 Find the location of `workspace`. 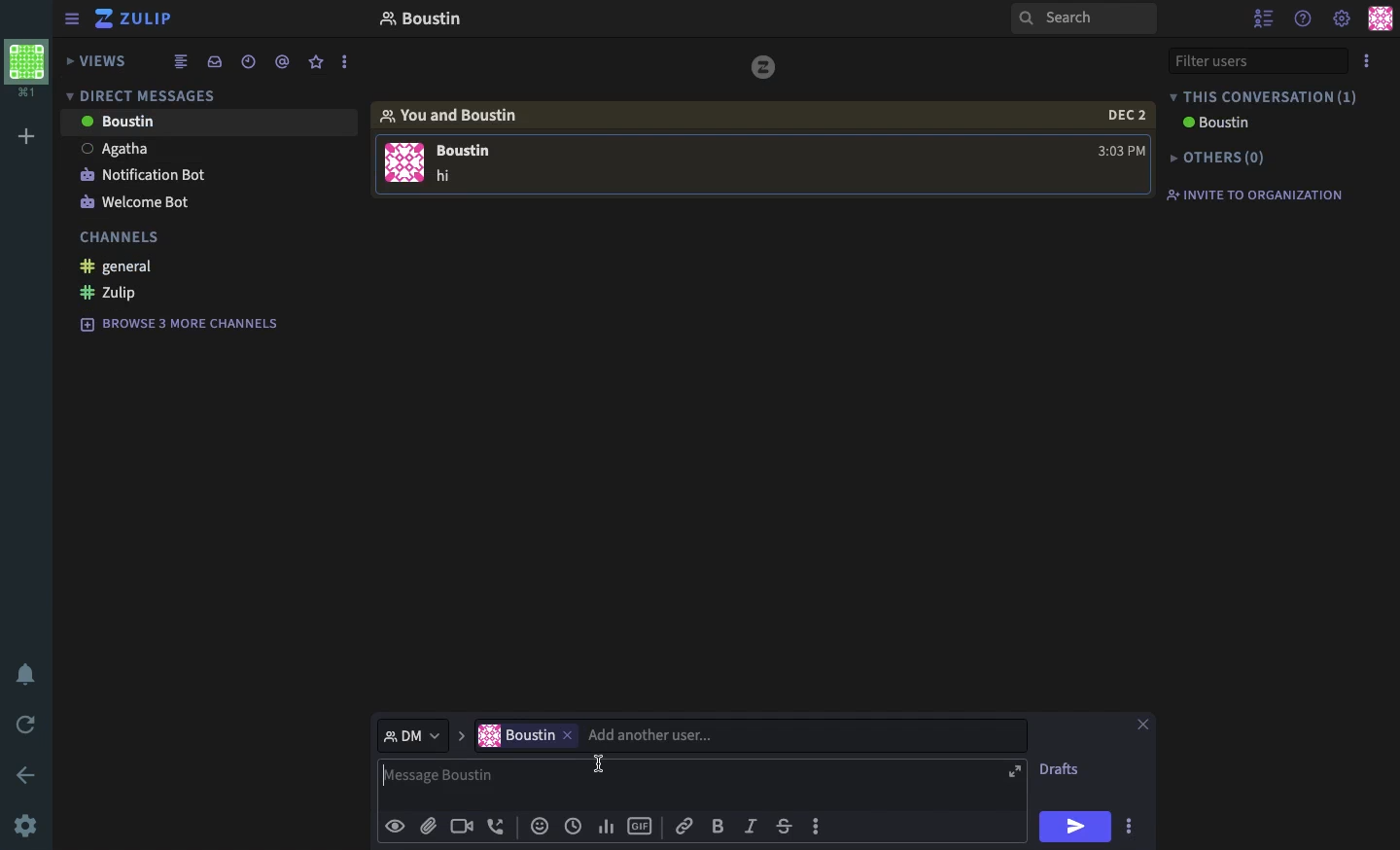

workspace is located at coordinates (26, 69).